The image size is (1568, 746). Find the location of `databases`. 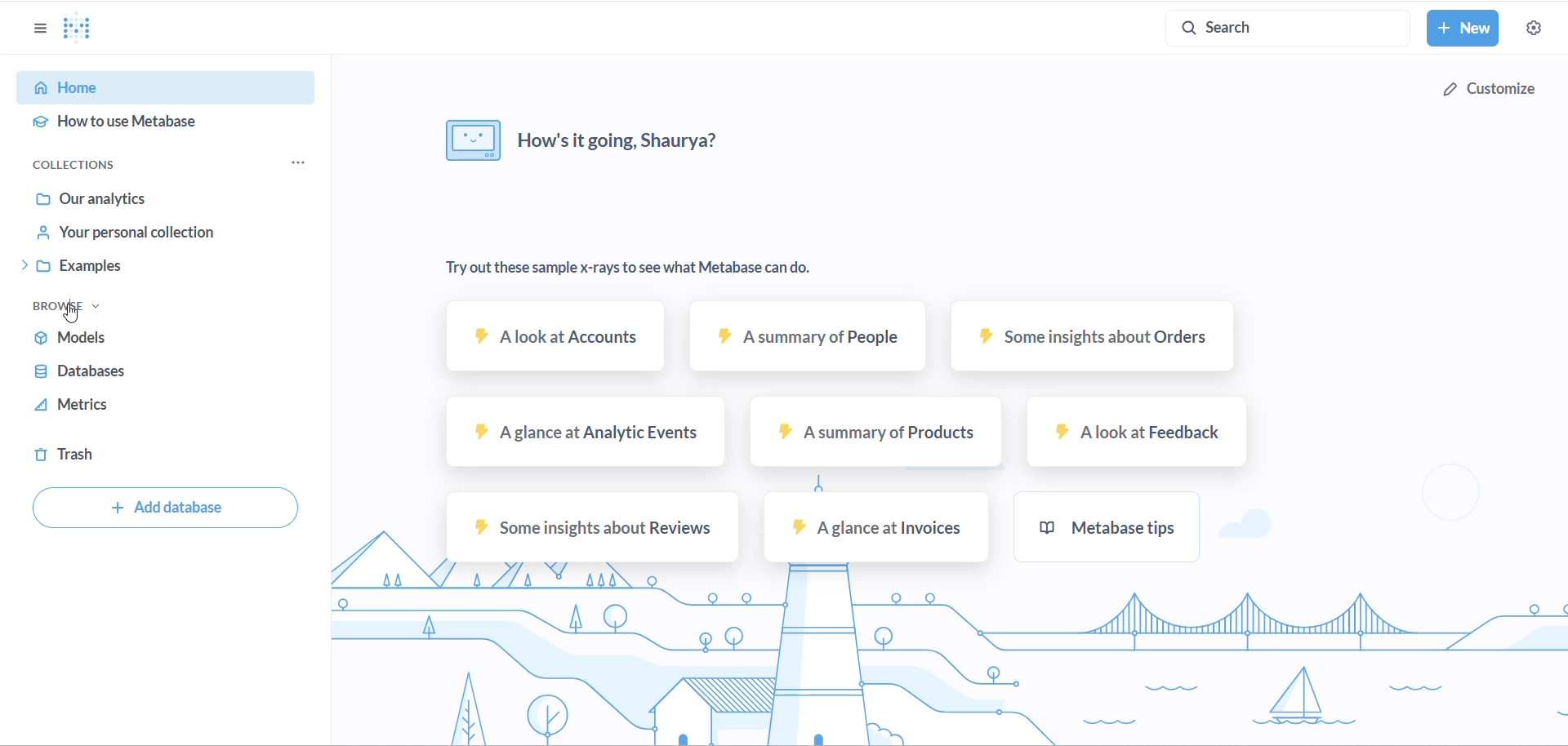

databases is located at coordinates (91, 372).